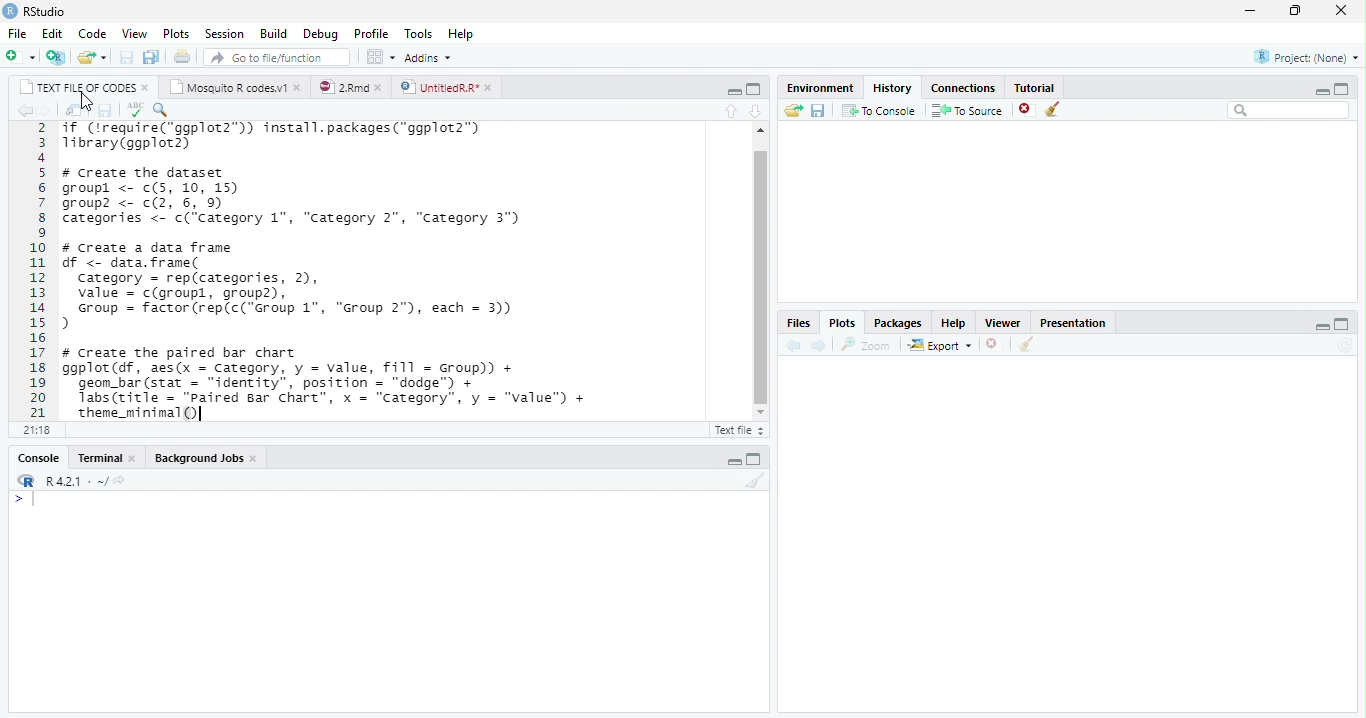  What do you see at coordinates (23, 499) in the screenshot?
I see `typing` at bounding box center [23, 499].